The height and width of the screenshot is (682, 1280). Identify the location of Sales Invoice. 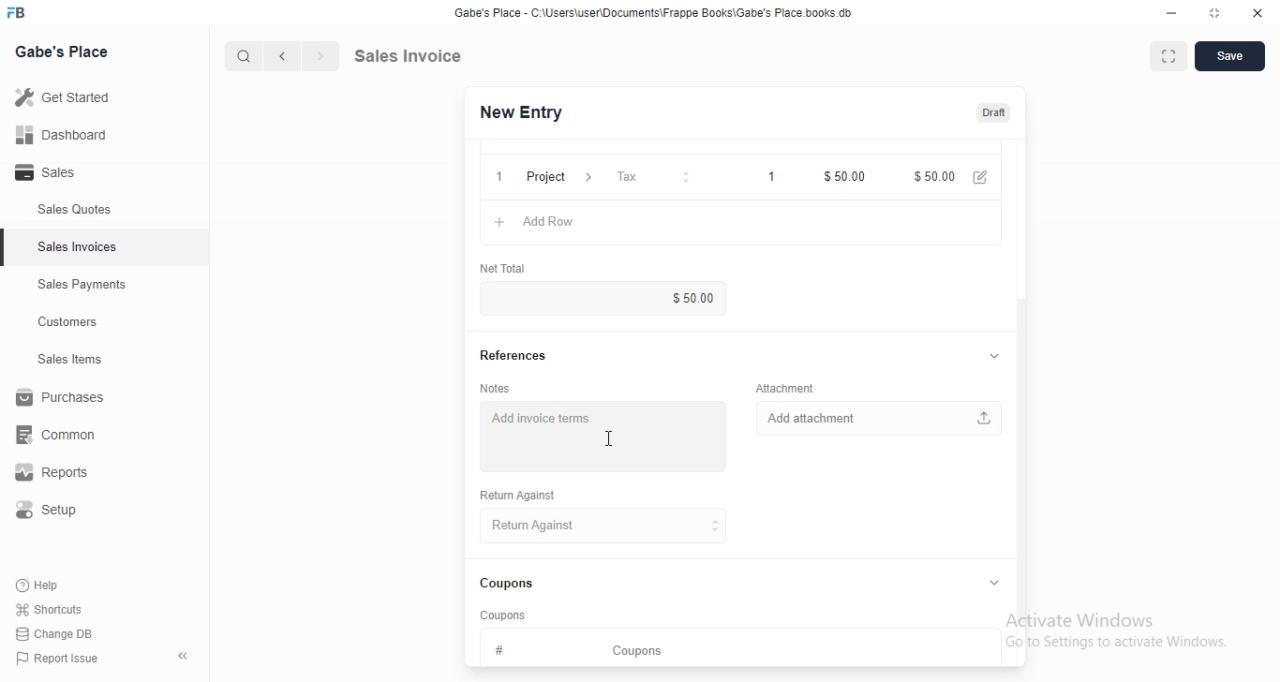
(419, 55).